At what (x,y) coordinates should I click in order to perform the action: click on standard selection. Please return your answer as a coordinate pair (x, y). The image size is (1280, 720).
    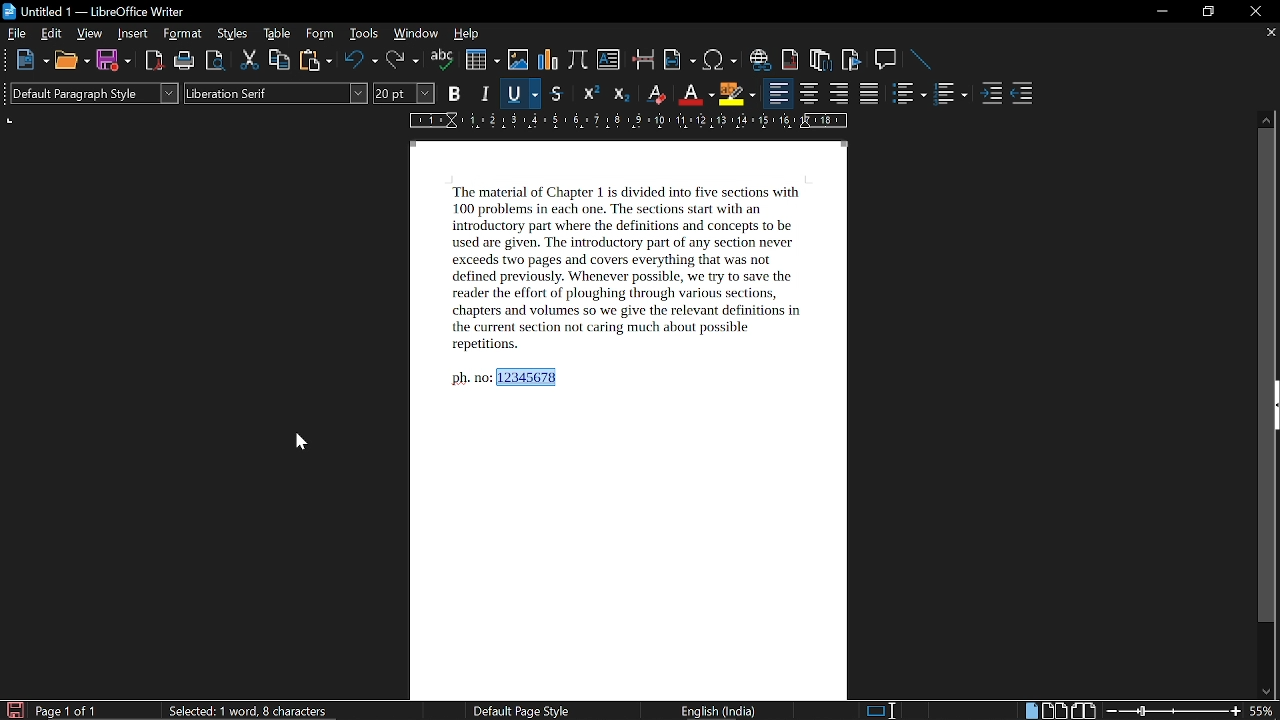
    Looking at the image, I should click on (880, 709).